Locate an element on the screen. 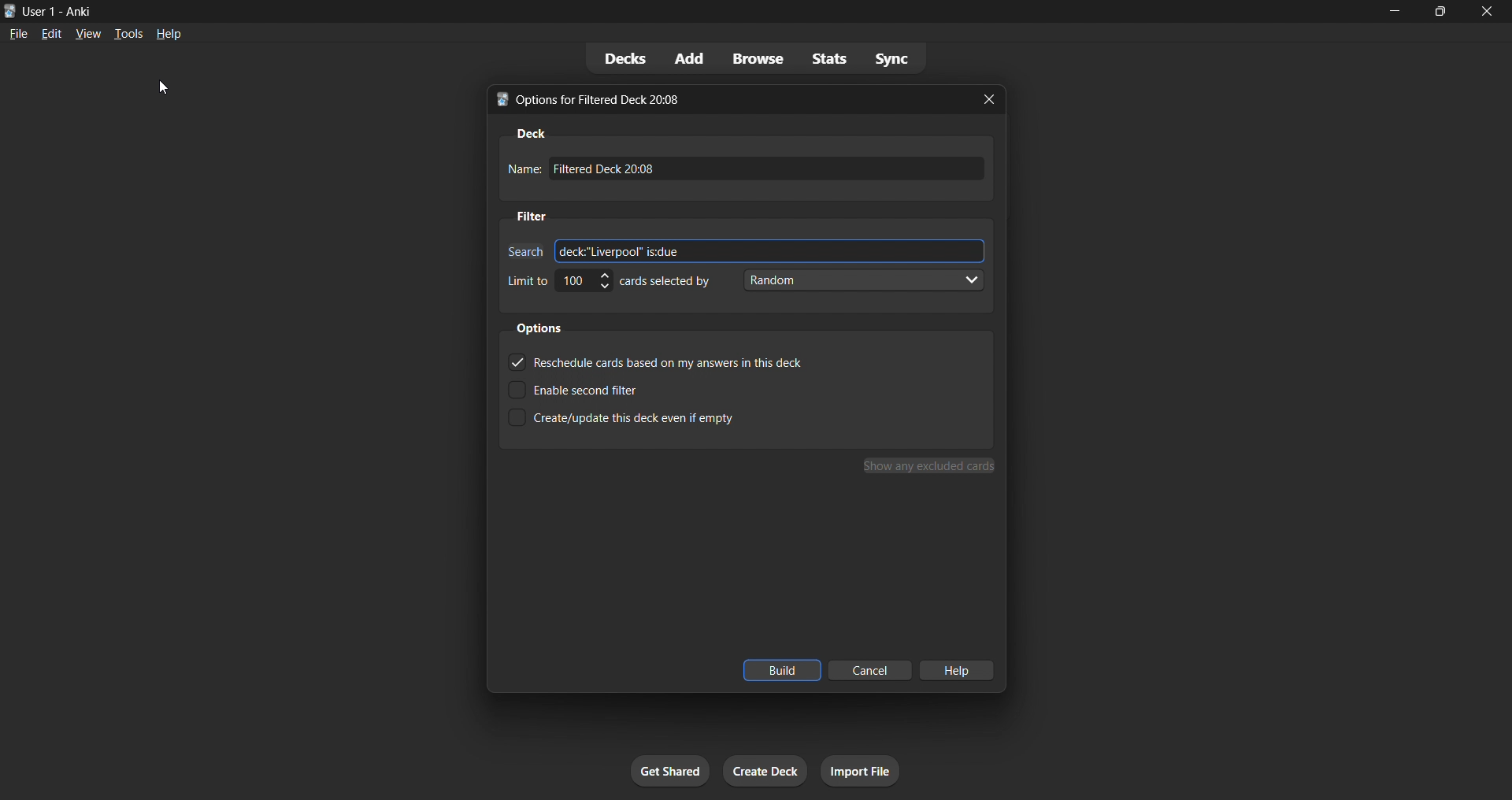 The height and width of the screenshot is (800, 1512). add is located at coordinates (686, 58).